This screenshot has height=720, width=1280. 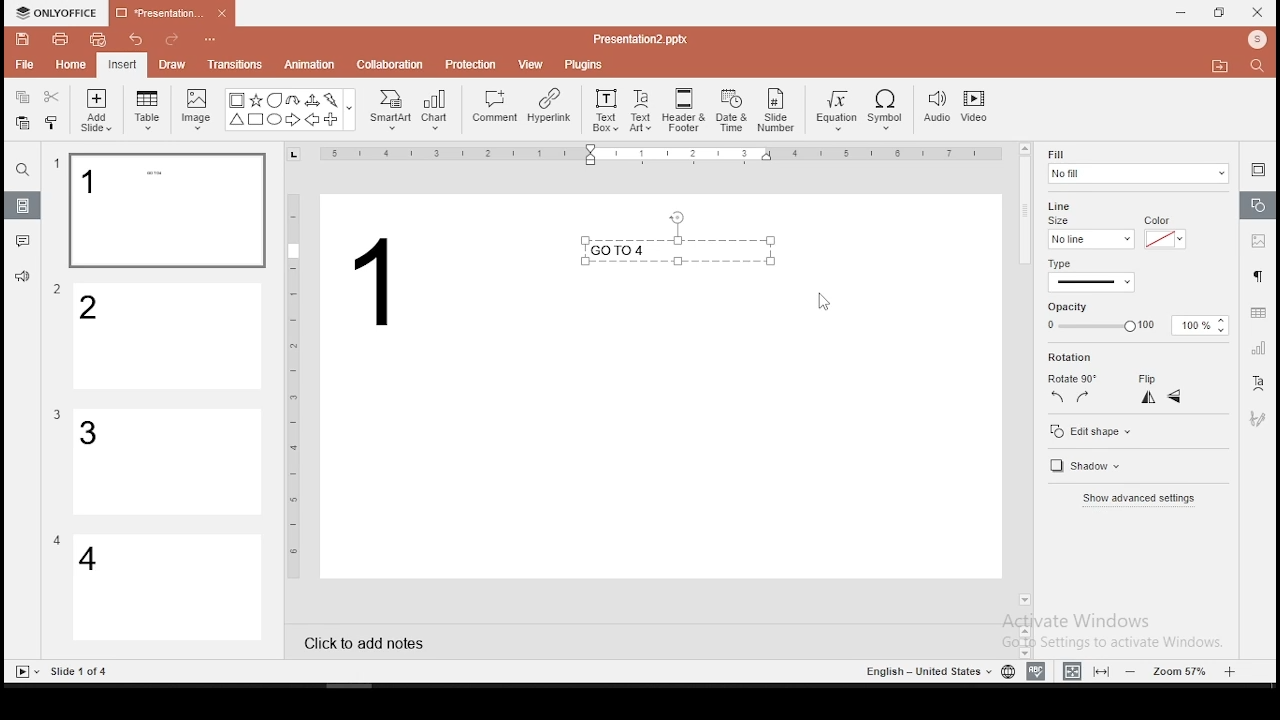 What do you see at coordinates (1257, 348) in the screenshot?
I see `chart settings` at bounding box center [1257, 348].